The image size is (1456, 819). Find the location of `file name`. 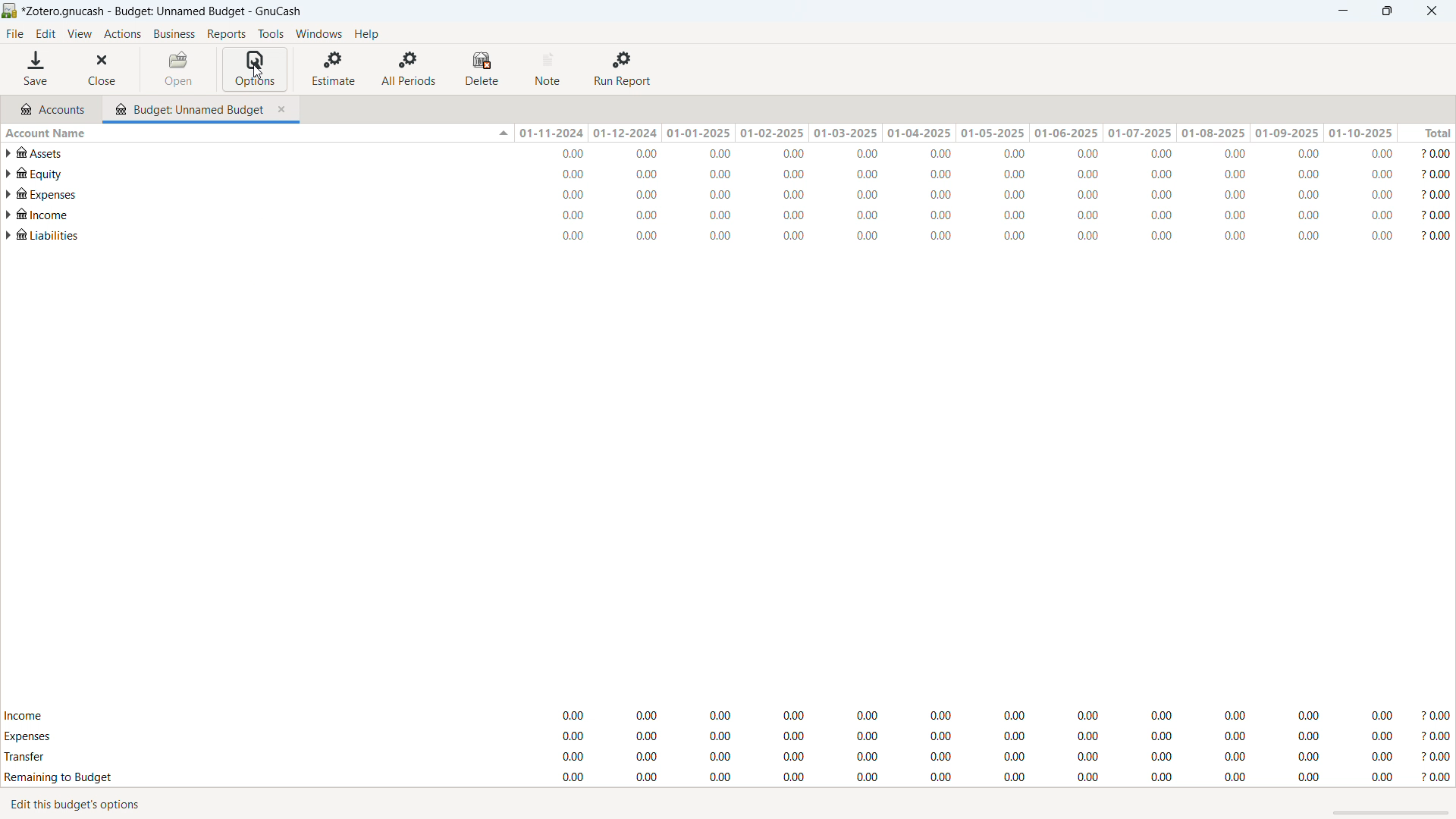

file name is located at coordinates (163, 11).